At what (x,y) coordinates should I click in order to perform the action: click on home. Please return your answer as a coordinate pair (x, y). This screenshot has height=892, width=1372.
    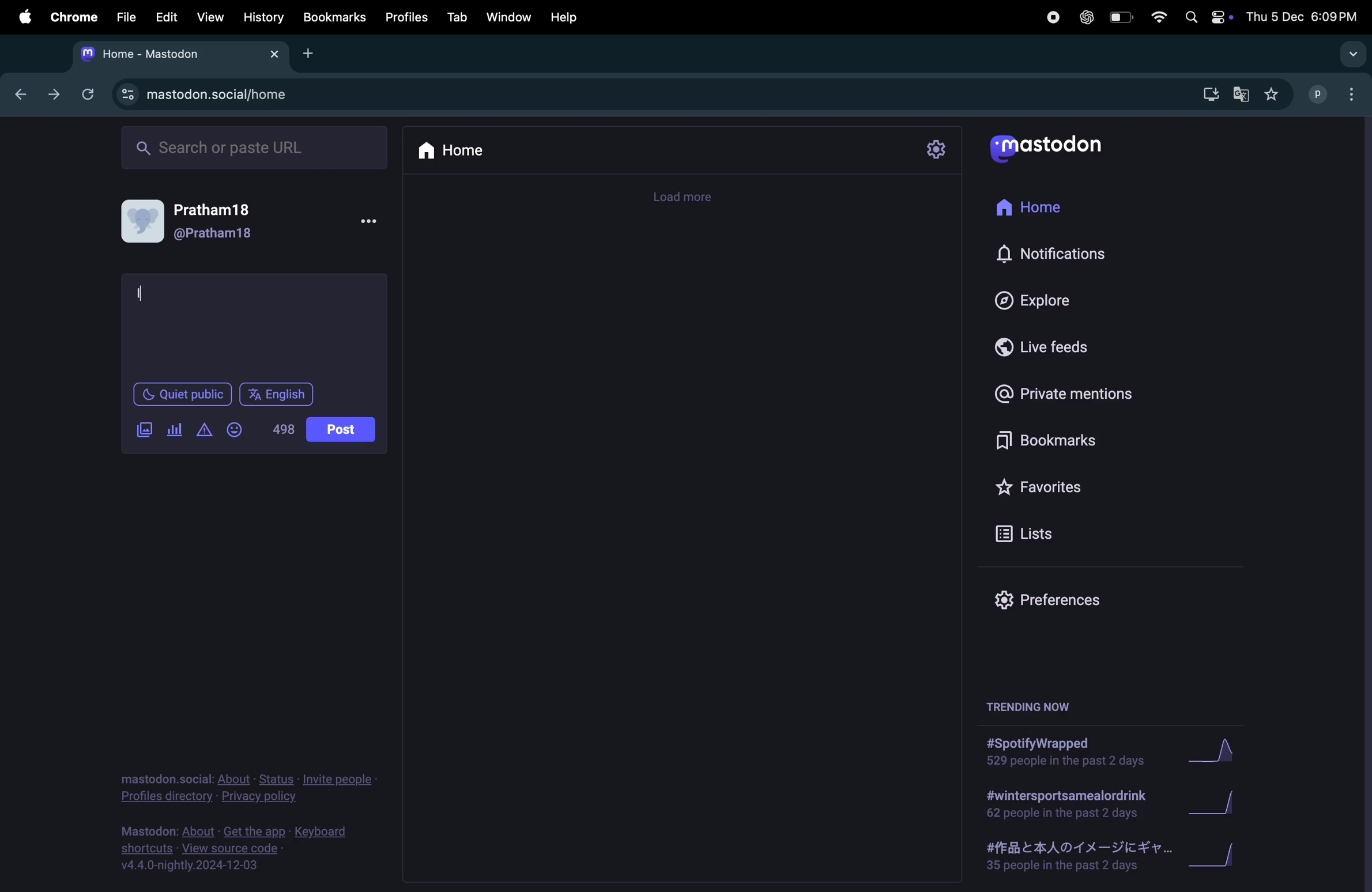
    Looking at the image, I should click on (452, 149).